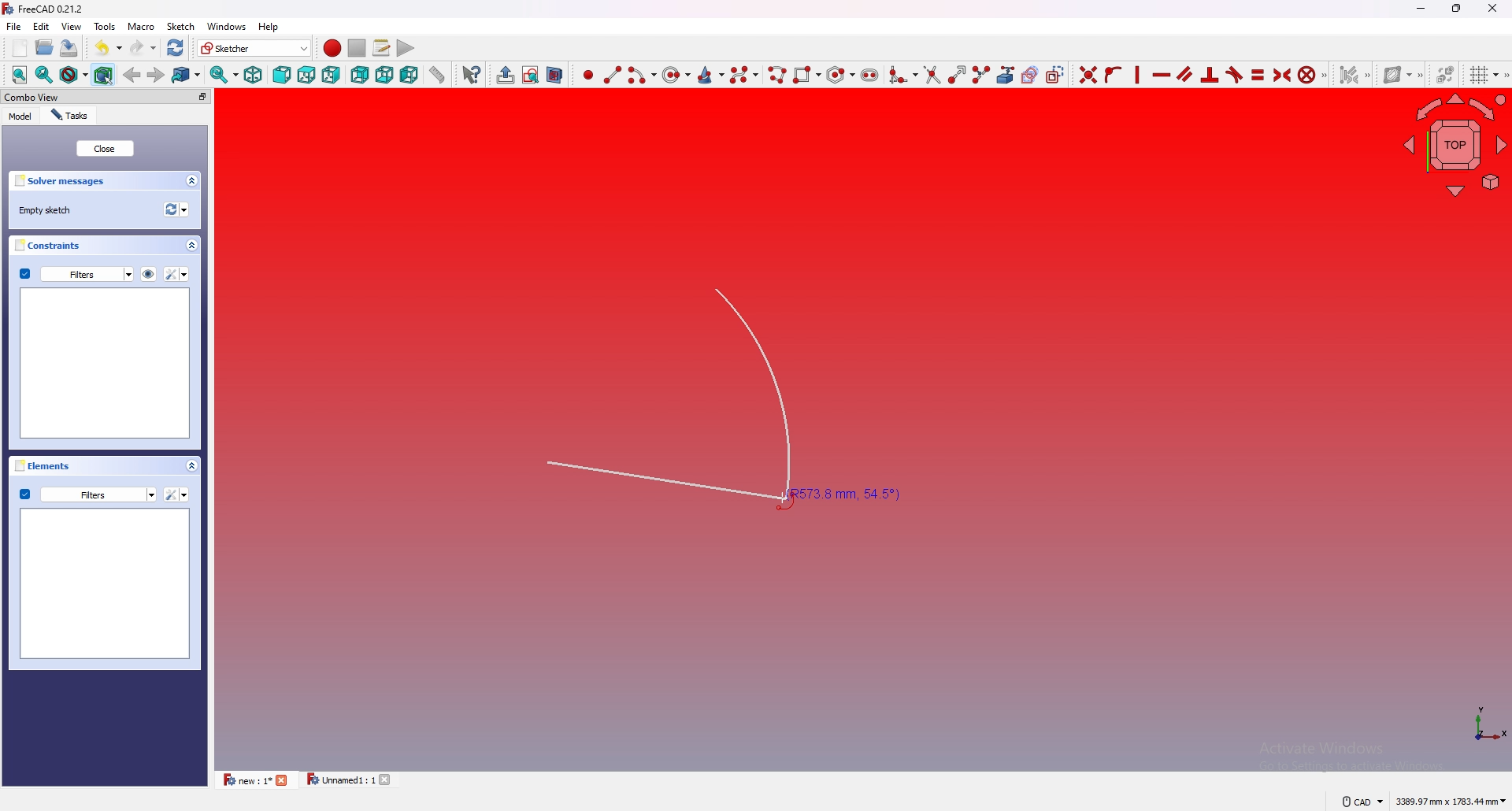 The image size is (1512, 811). Describe the element at coordinates (54, 245) in the screenshot. I see `constraints` at that location.